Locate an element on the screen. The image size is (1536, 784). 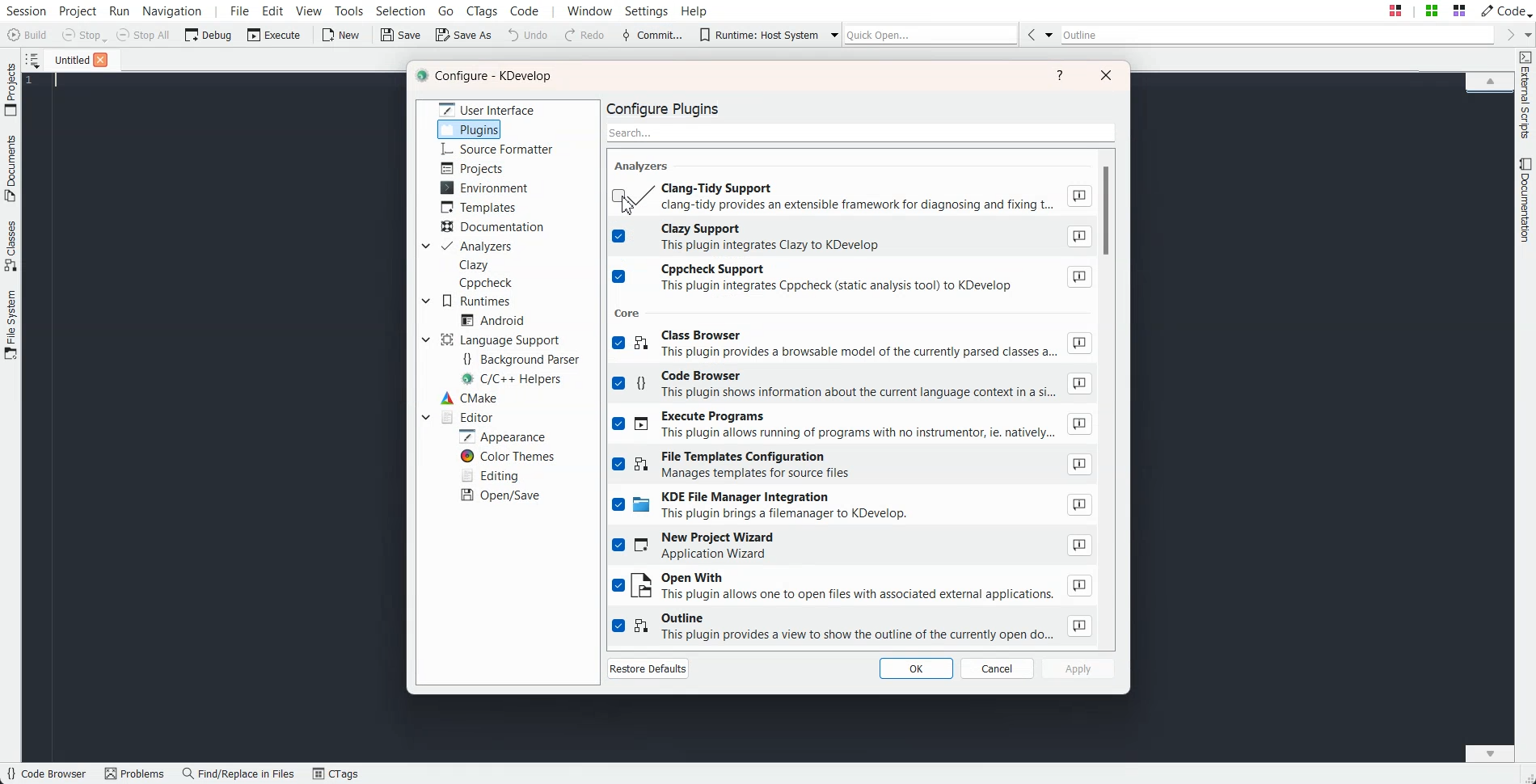
Help is located at coordinates (694, 10).